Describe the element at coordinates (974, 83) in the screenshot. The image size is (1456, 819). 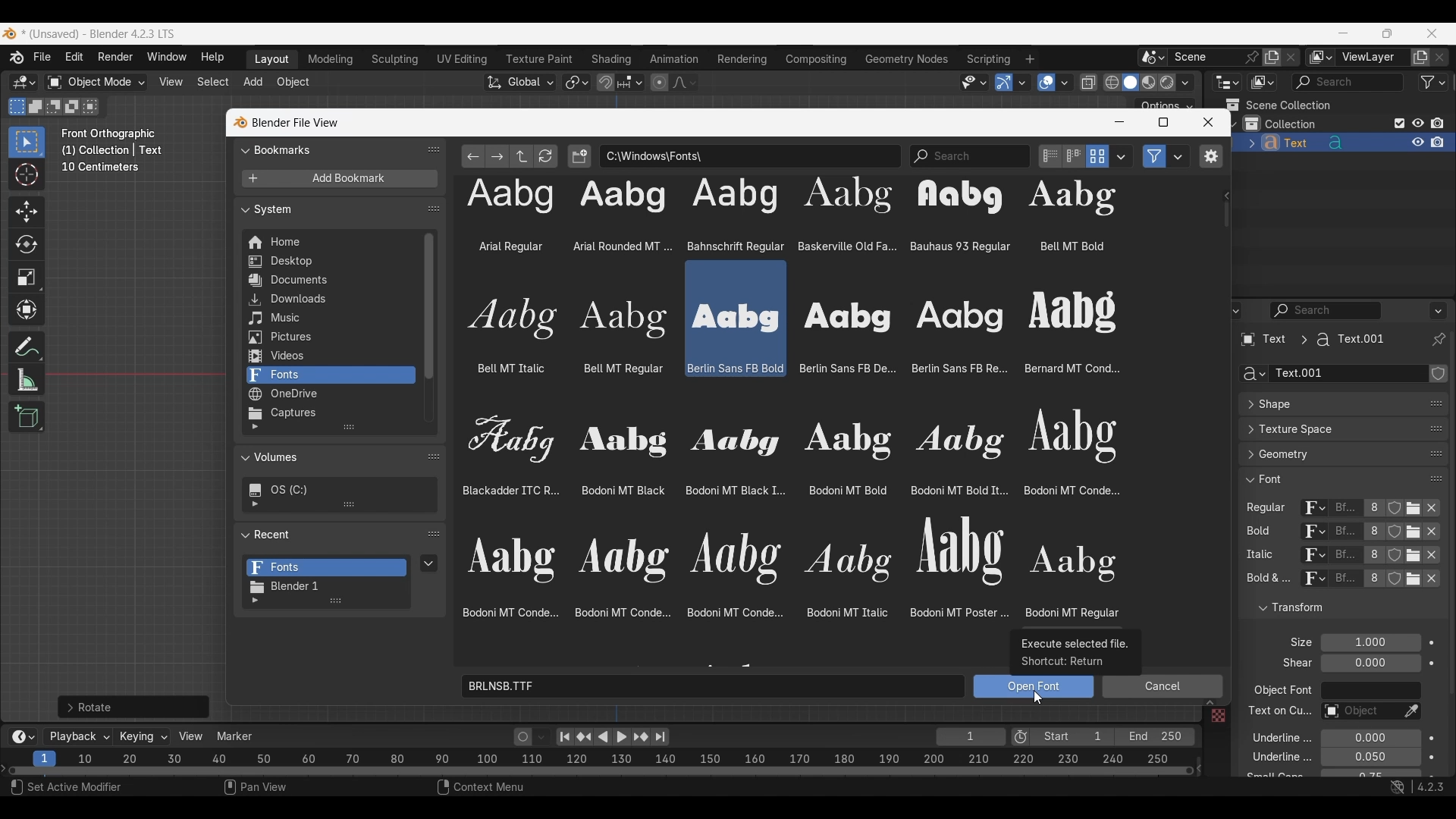
I see `Selectability and visibility` at that location.